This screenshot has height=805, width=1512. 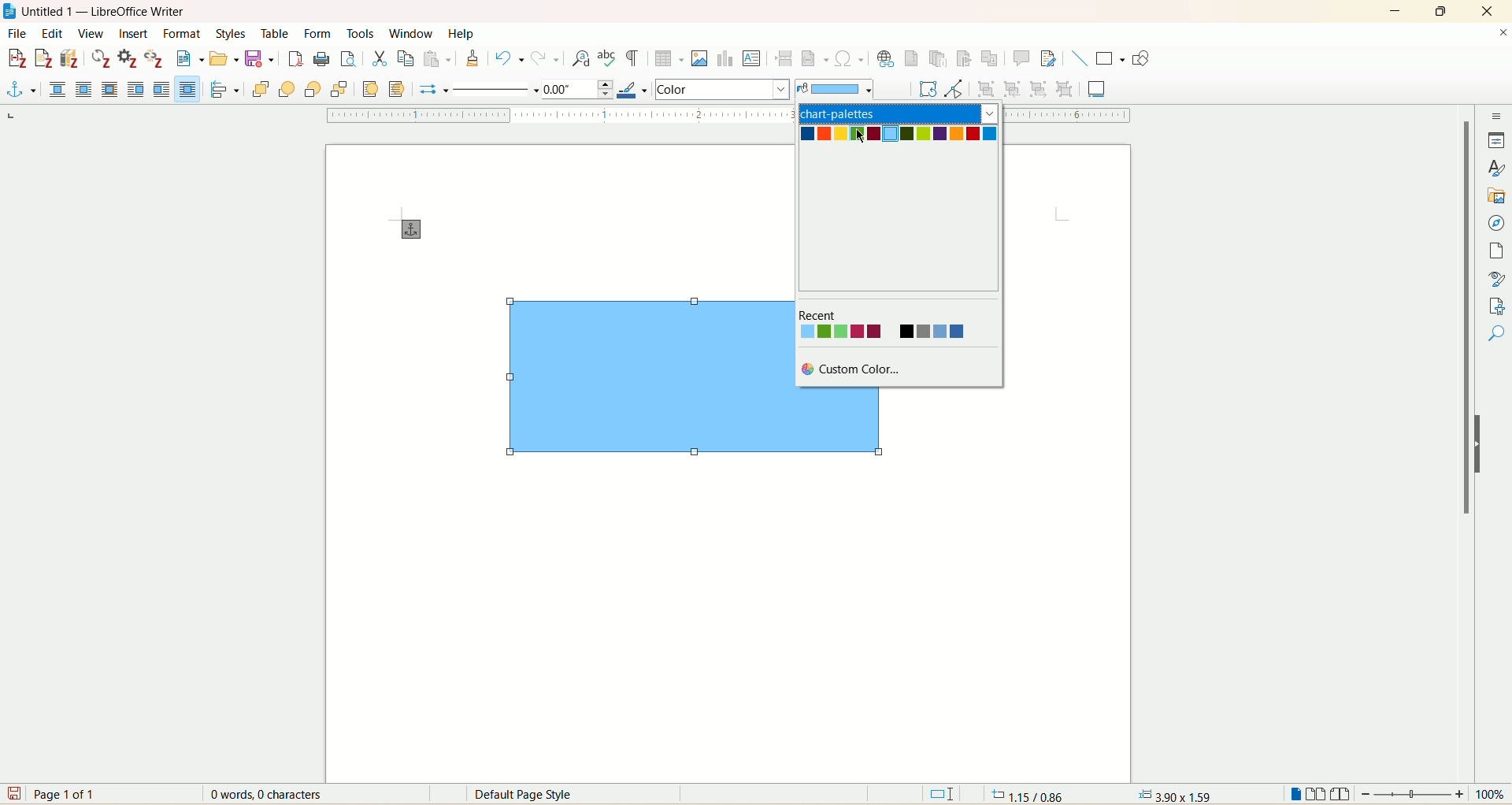 I want to click on properties, so click(x=1496, y=142).